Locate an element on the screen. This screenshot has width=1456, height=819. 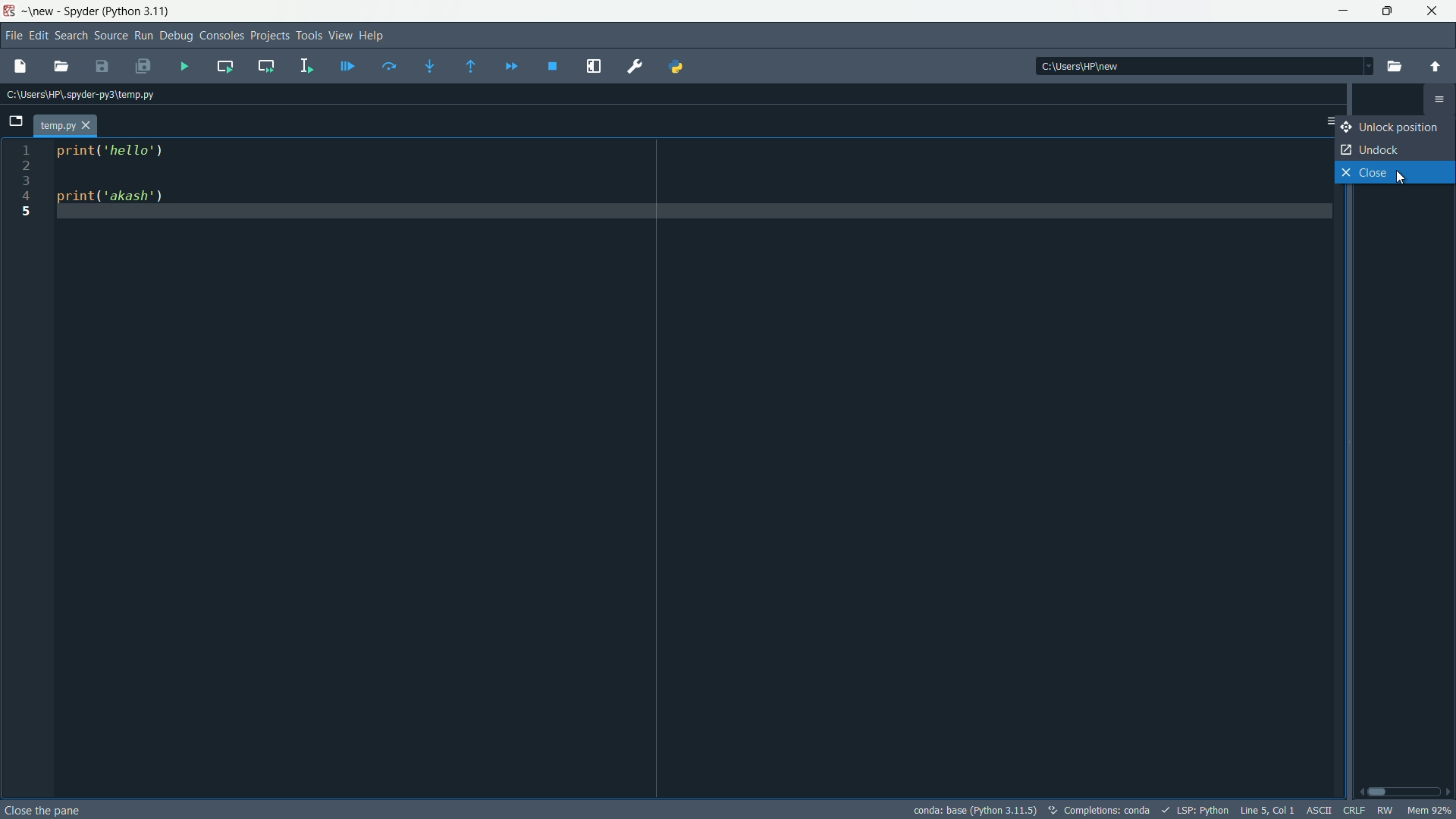
scroll bar is located at coordinates (1405, 792).